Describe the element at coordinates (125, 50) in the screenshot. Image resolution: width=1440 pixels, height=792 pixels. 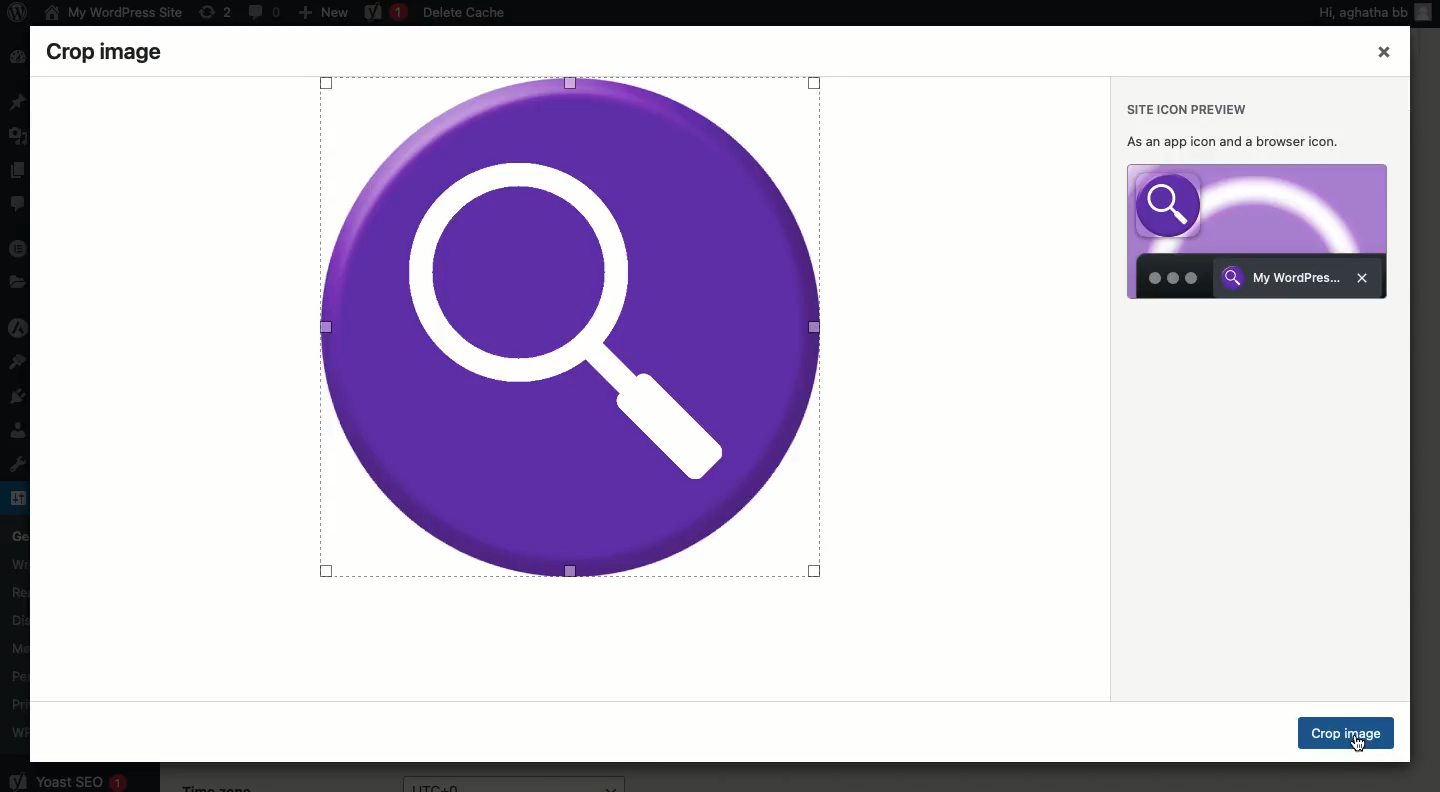
I see `Crop image` at that location.